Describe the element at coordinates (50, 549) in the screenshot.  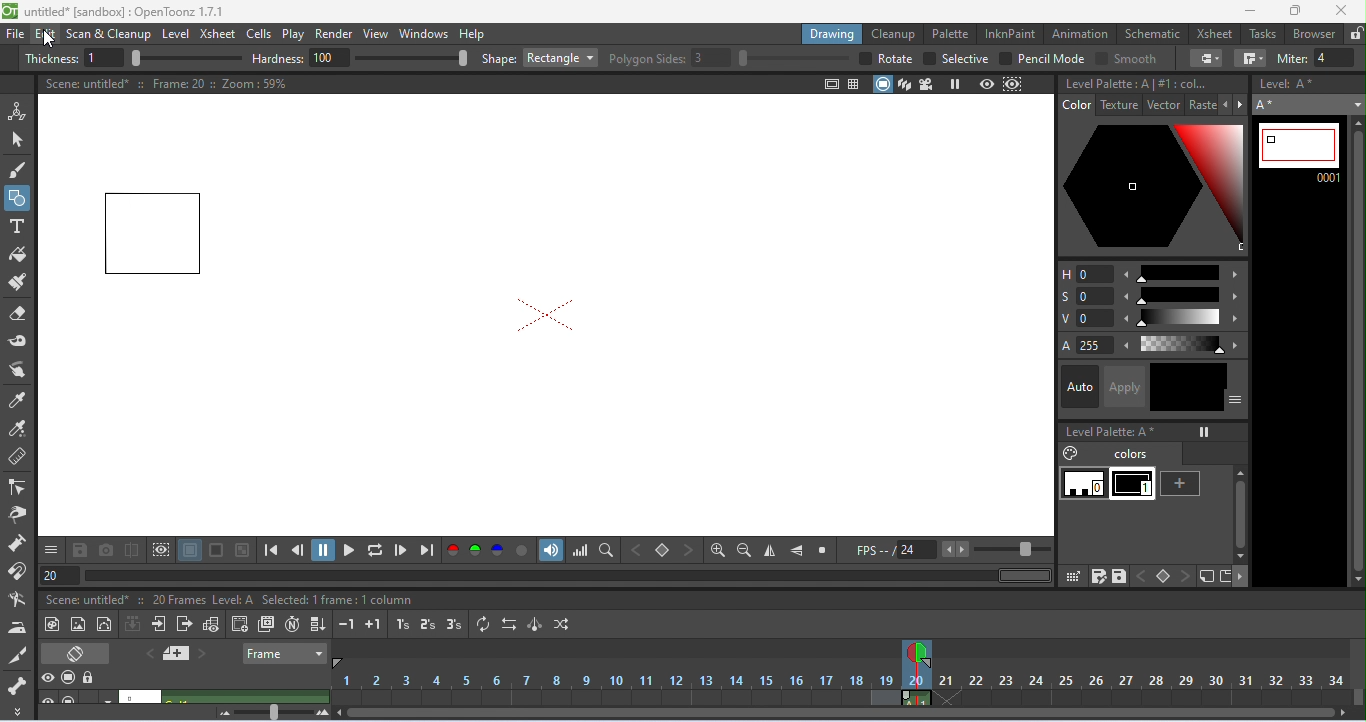
I see `save and more` at that location.